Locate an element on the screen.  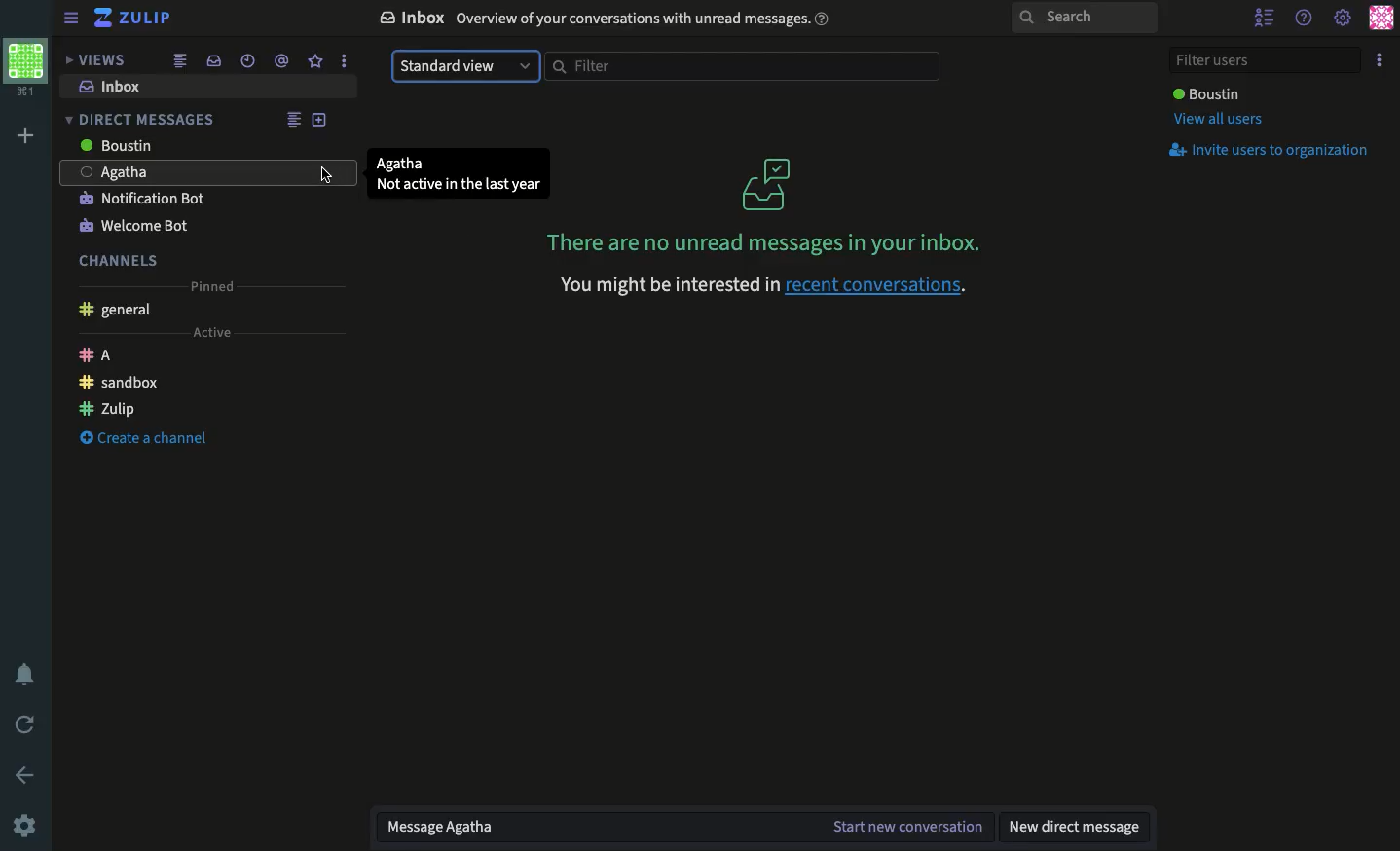
Create a channel is located at coordinates (142, 440).